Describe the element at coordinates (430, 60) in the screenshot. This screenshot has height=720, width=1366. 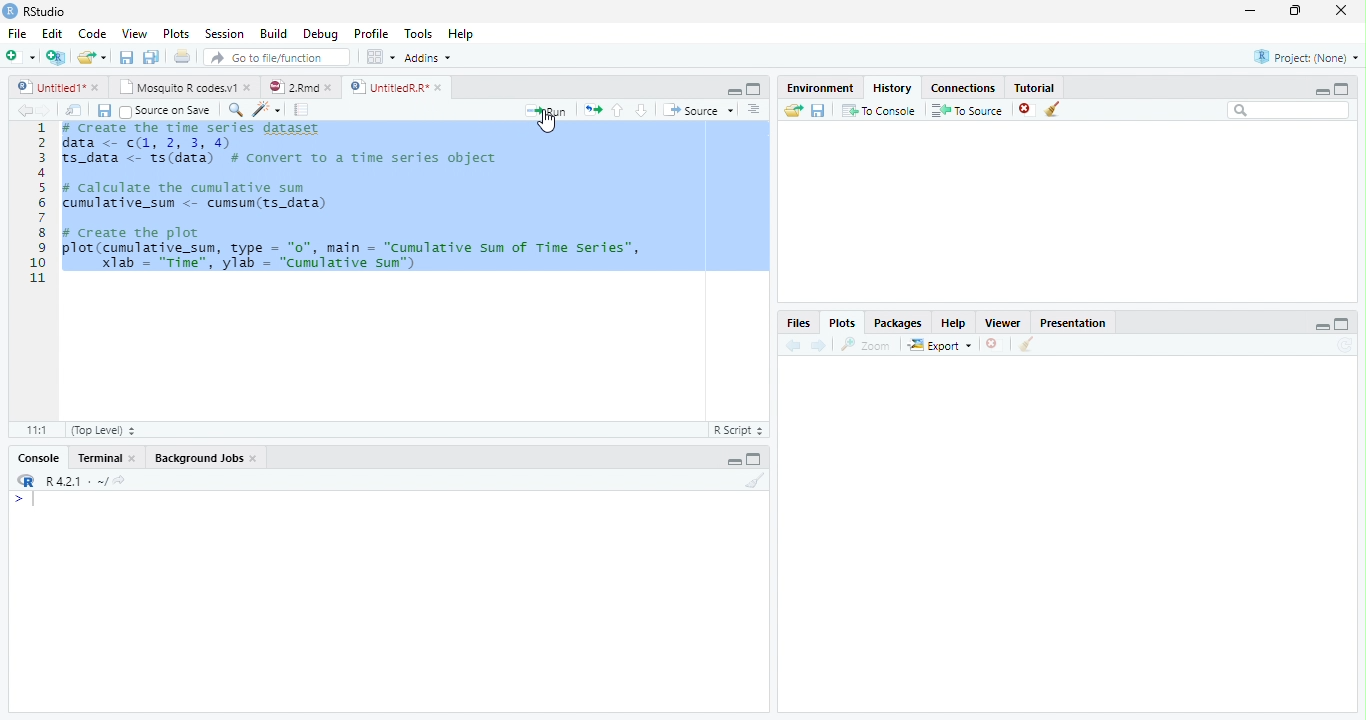
I see `Addins` at that location.